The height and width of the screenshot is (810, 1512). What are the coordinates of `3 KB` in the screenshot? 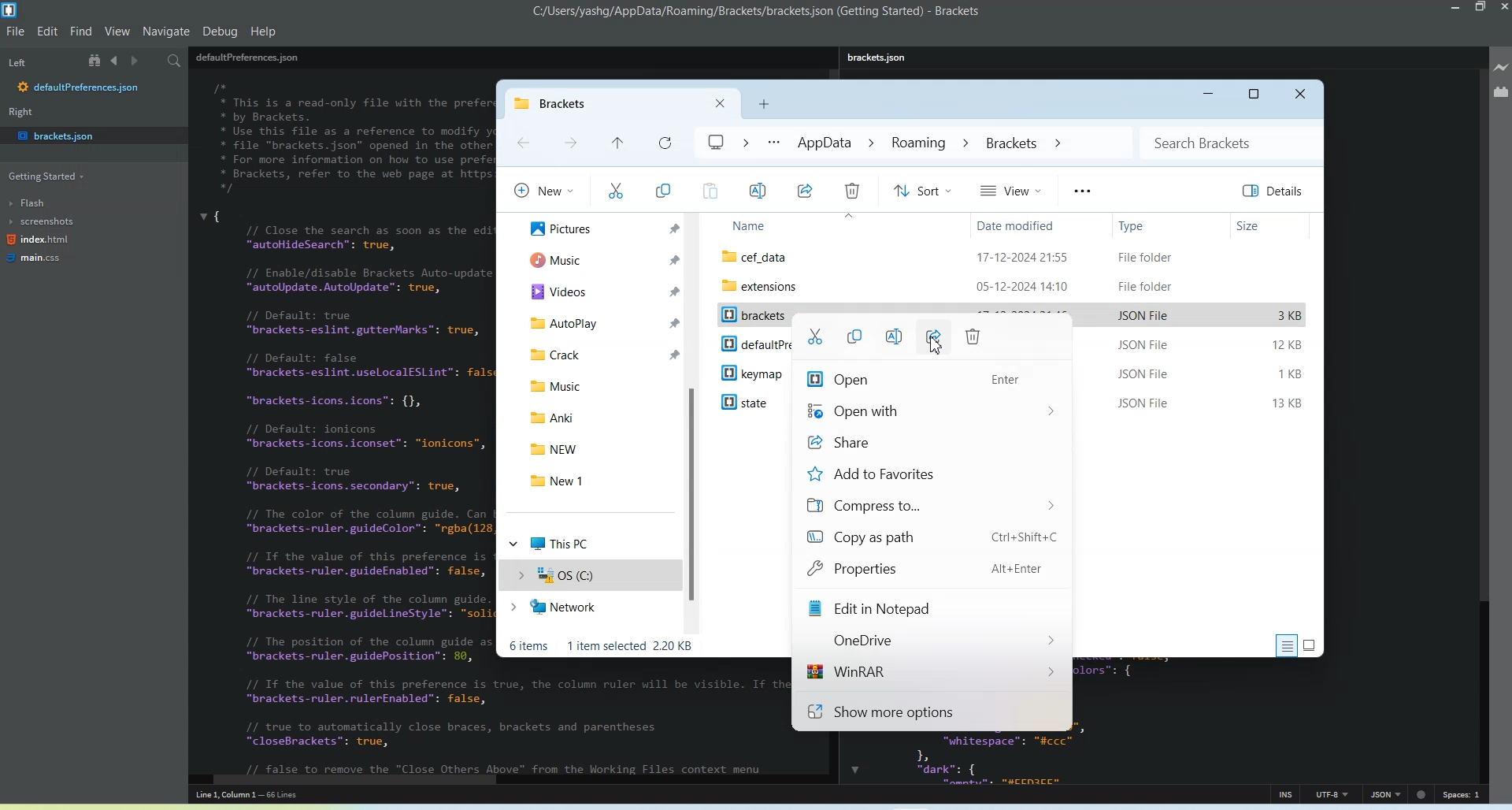 It's located at (1291, 316).